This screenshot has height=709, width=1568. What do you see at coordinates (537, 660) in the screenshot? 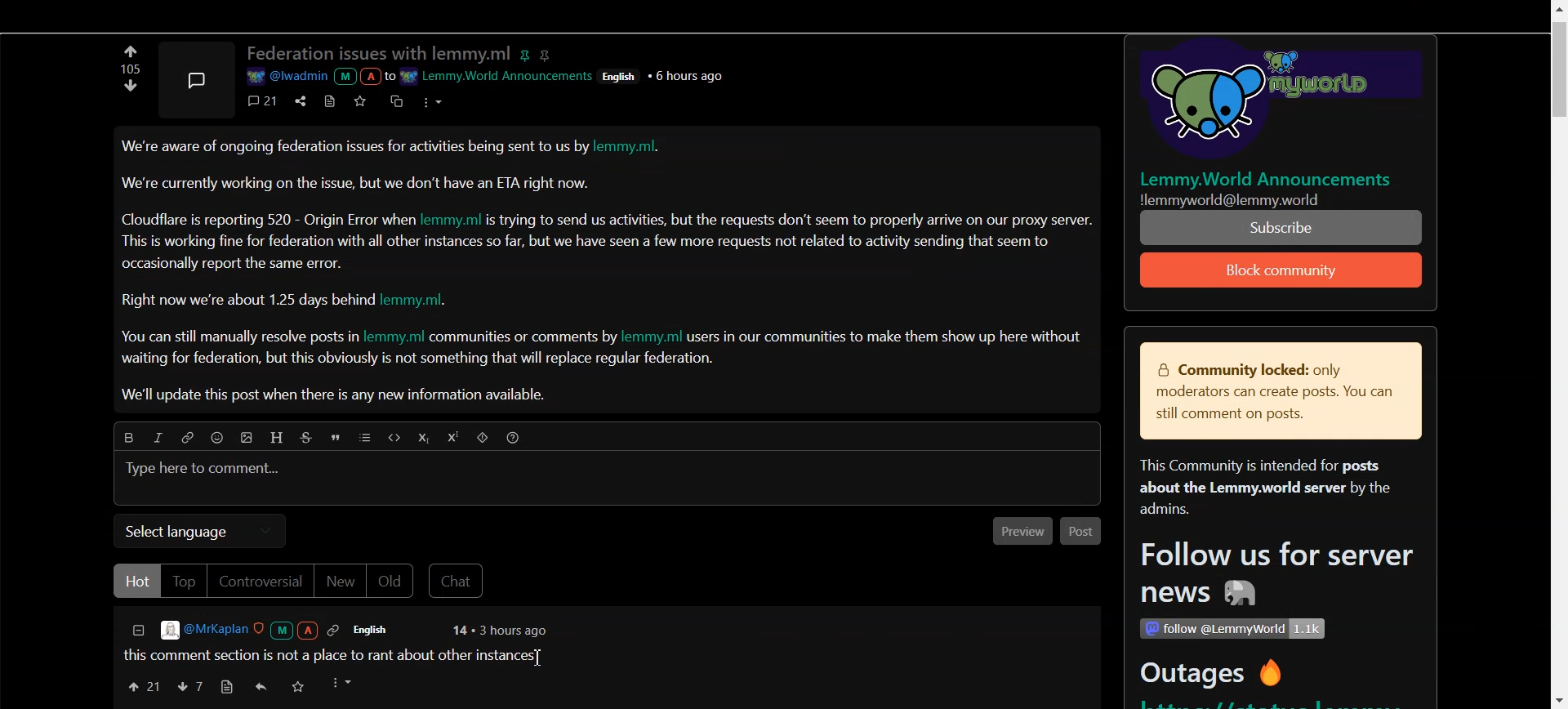
I see `Text Cursor` at bounding box center [537, 660].